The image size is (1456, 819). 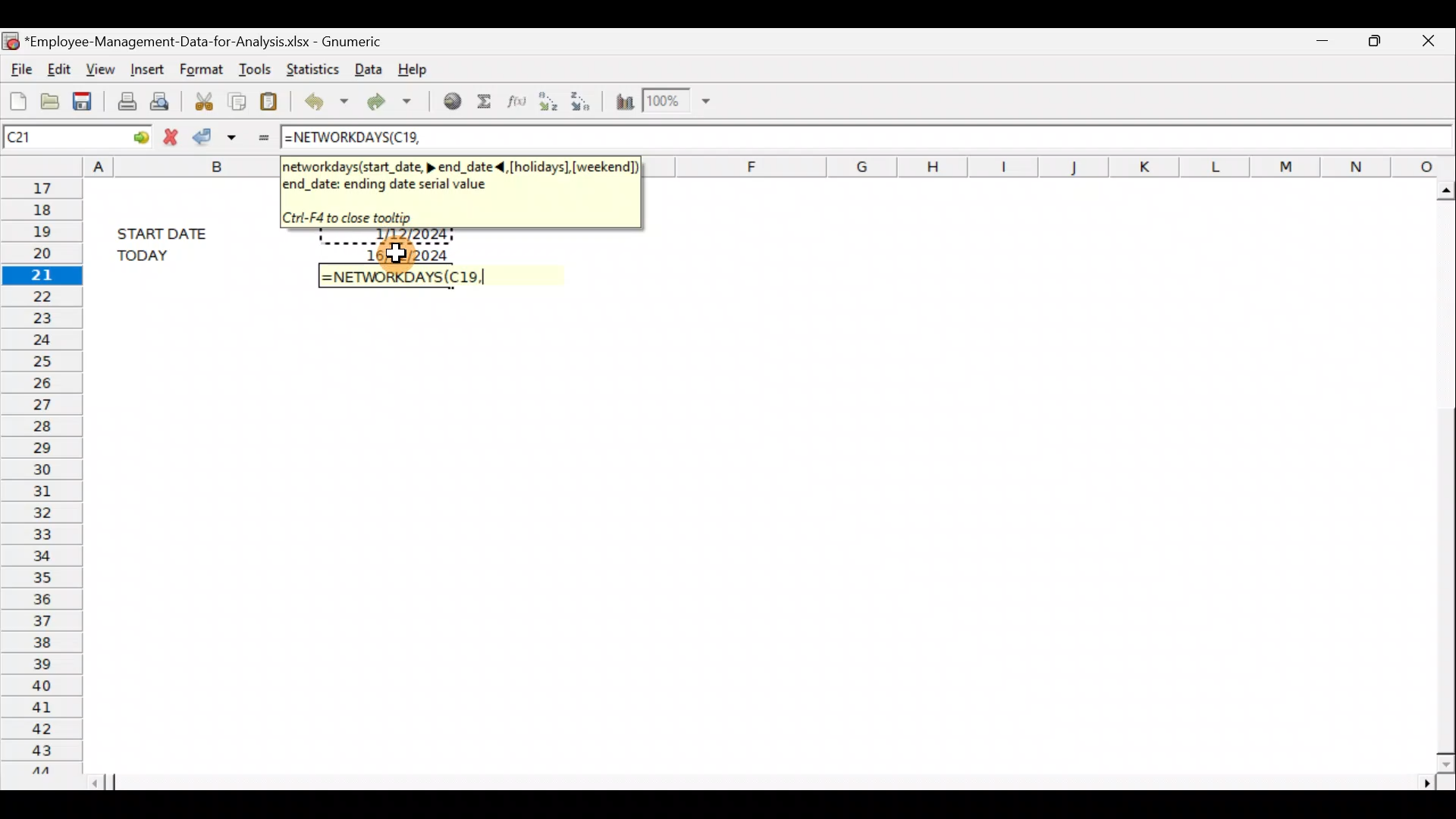 I want to click on Columns, so click(x=1056, y=165).